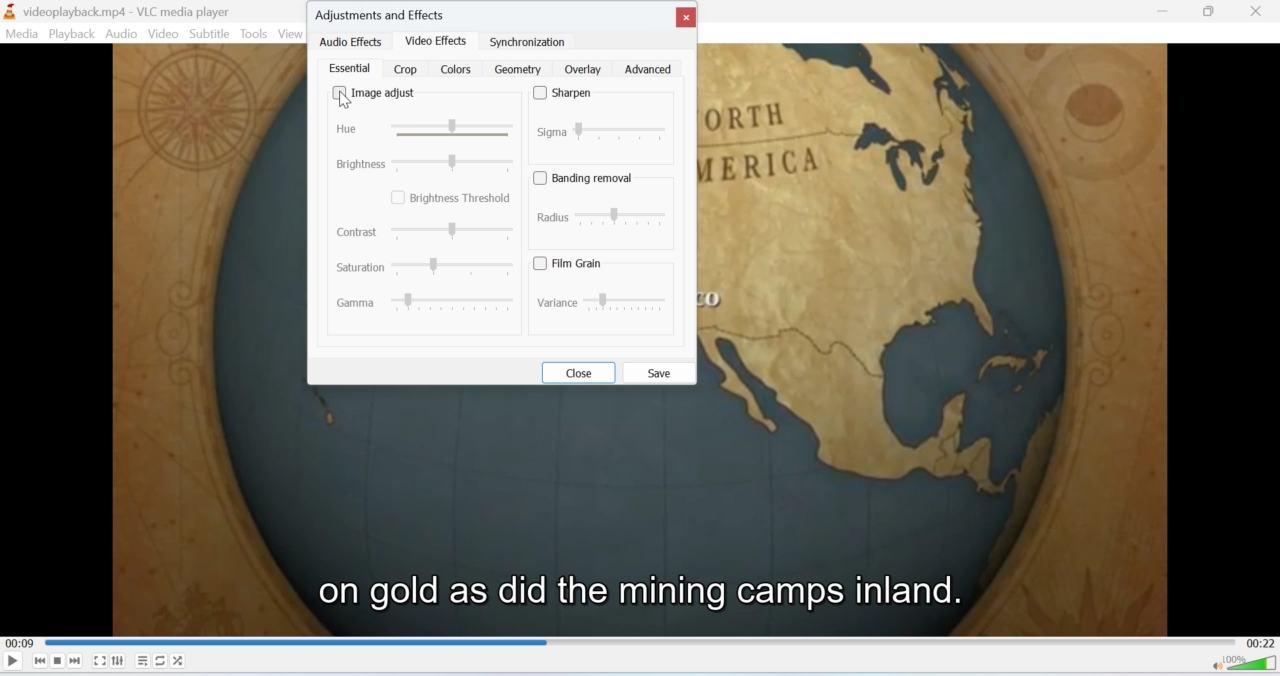 Image resolution: width=1280 pixels, height=676 pixels. I want to click on essential, so click(349, 68).